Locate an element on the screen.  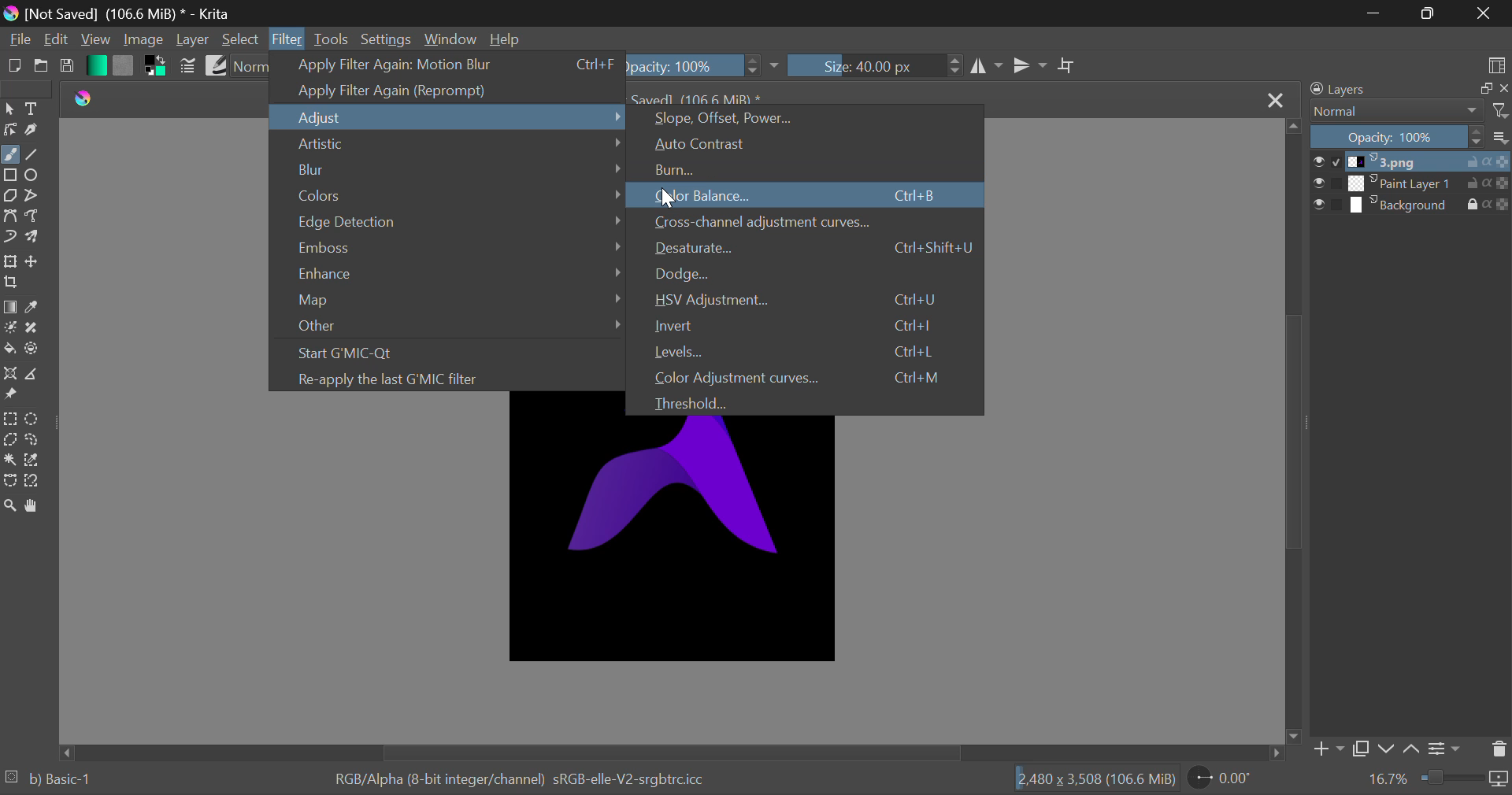
Edit Shapes is located at coordinates (10, 130).